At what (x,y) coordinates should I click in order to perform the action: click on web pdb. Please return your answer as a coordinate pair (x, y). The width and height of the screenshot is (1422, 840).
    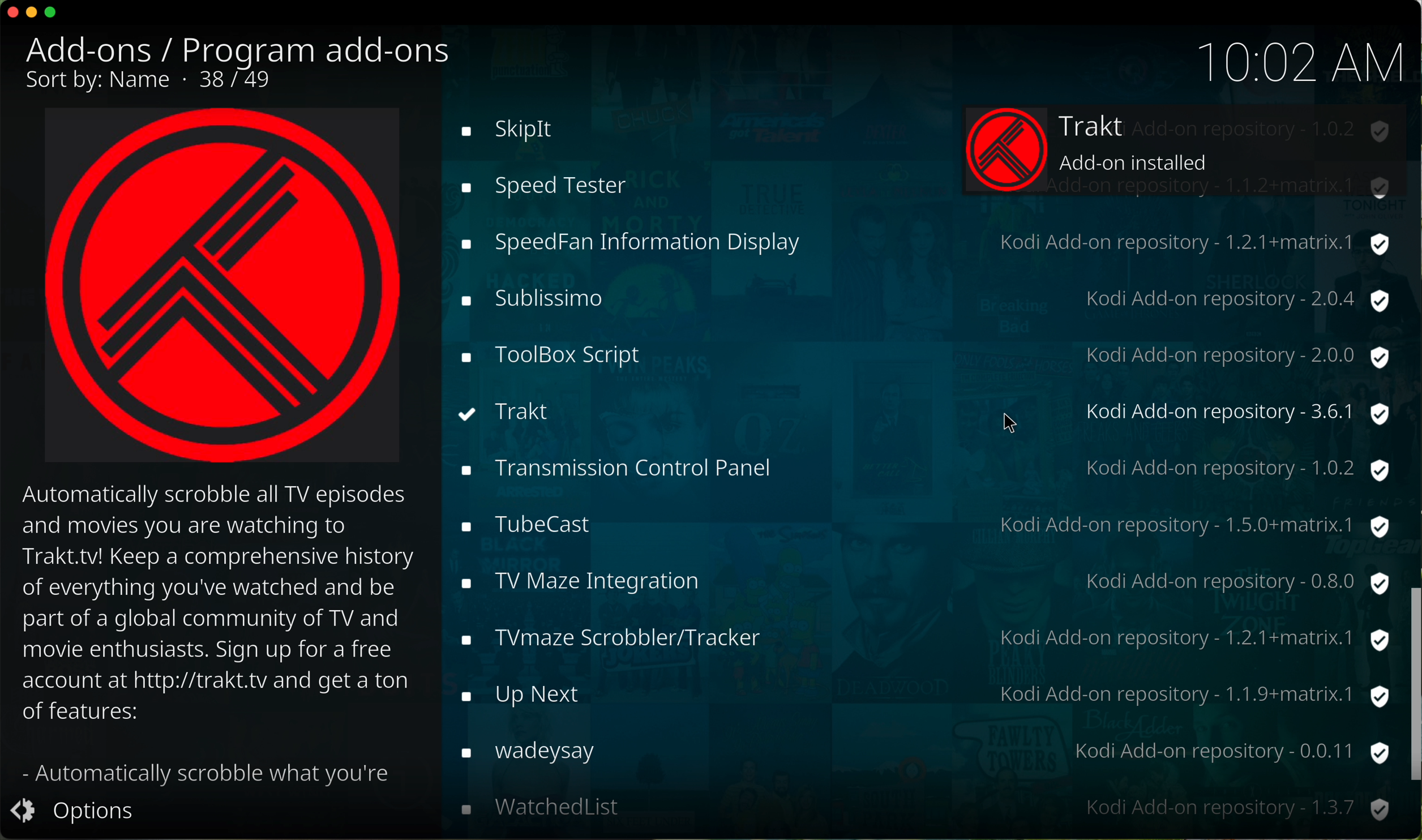
    Looking at the image, I should click on (918, 635).